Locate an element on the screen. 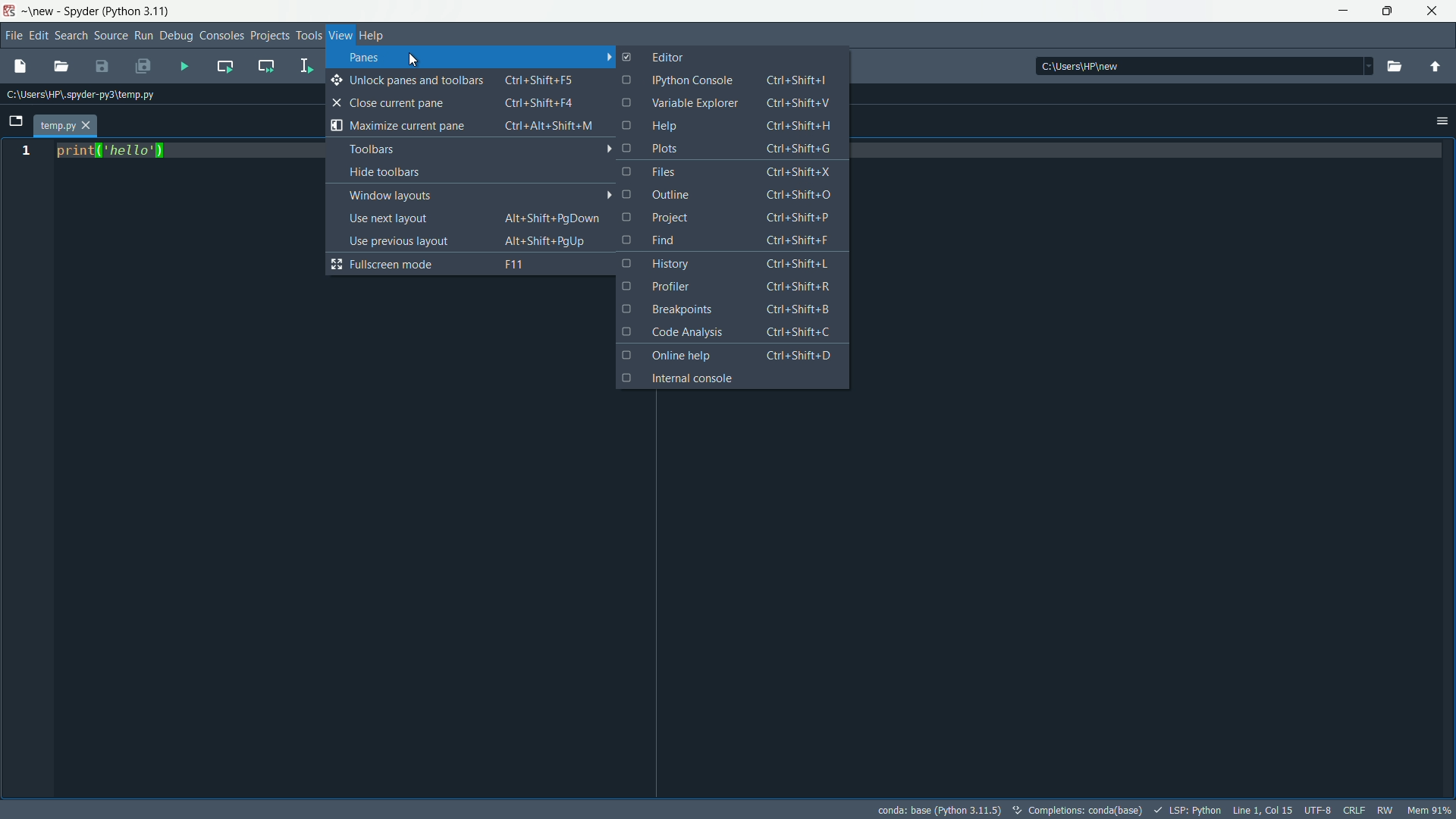  editor is located at coordinates (655, 55).